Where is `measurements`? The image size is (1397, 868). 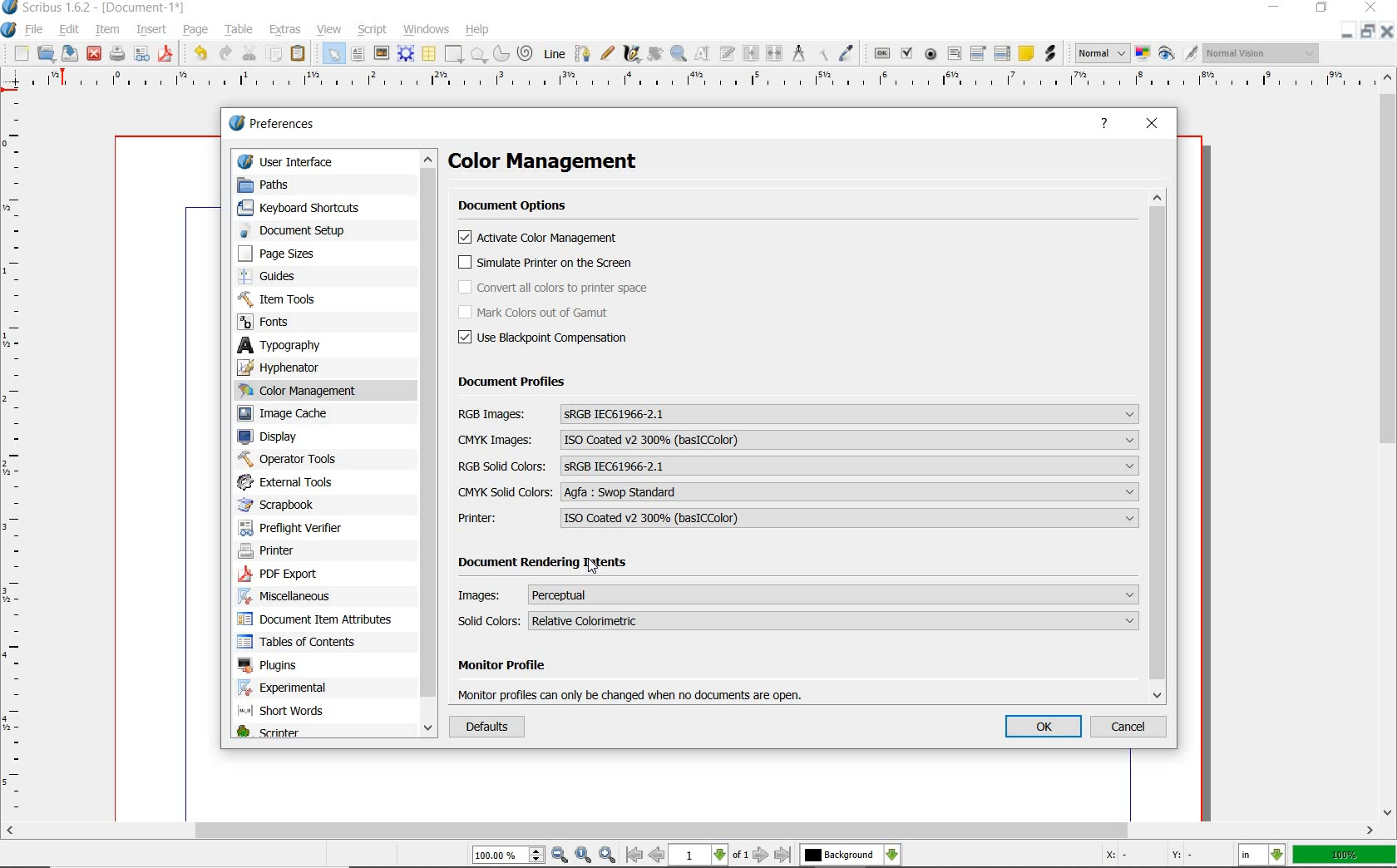 measurements is located at coordinates (799, 54).